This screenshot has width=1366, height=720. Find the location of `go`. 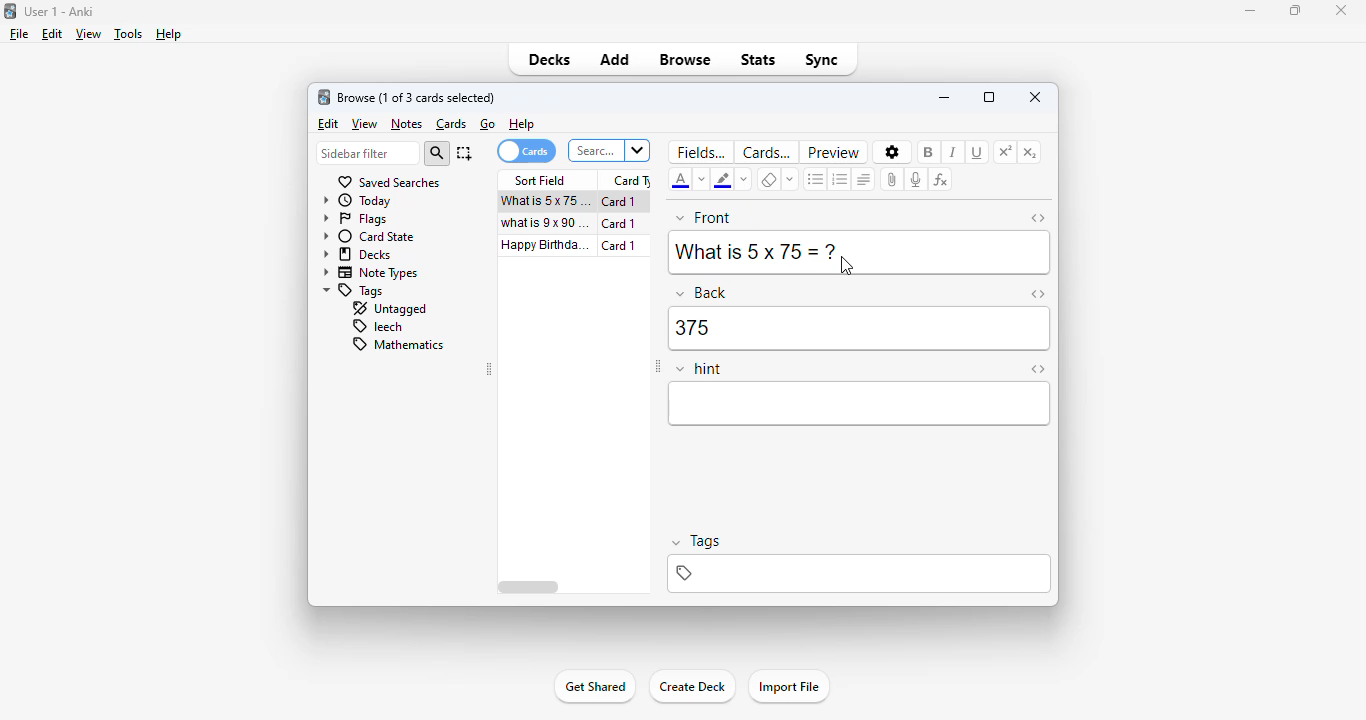

go is located at coordinates (487, 124).